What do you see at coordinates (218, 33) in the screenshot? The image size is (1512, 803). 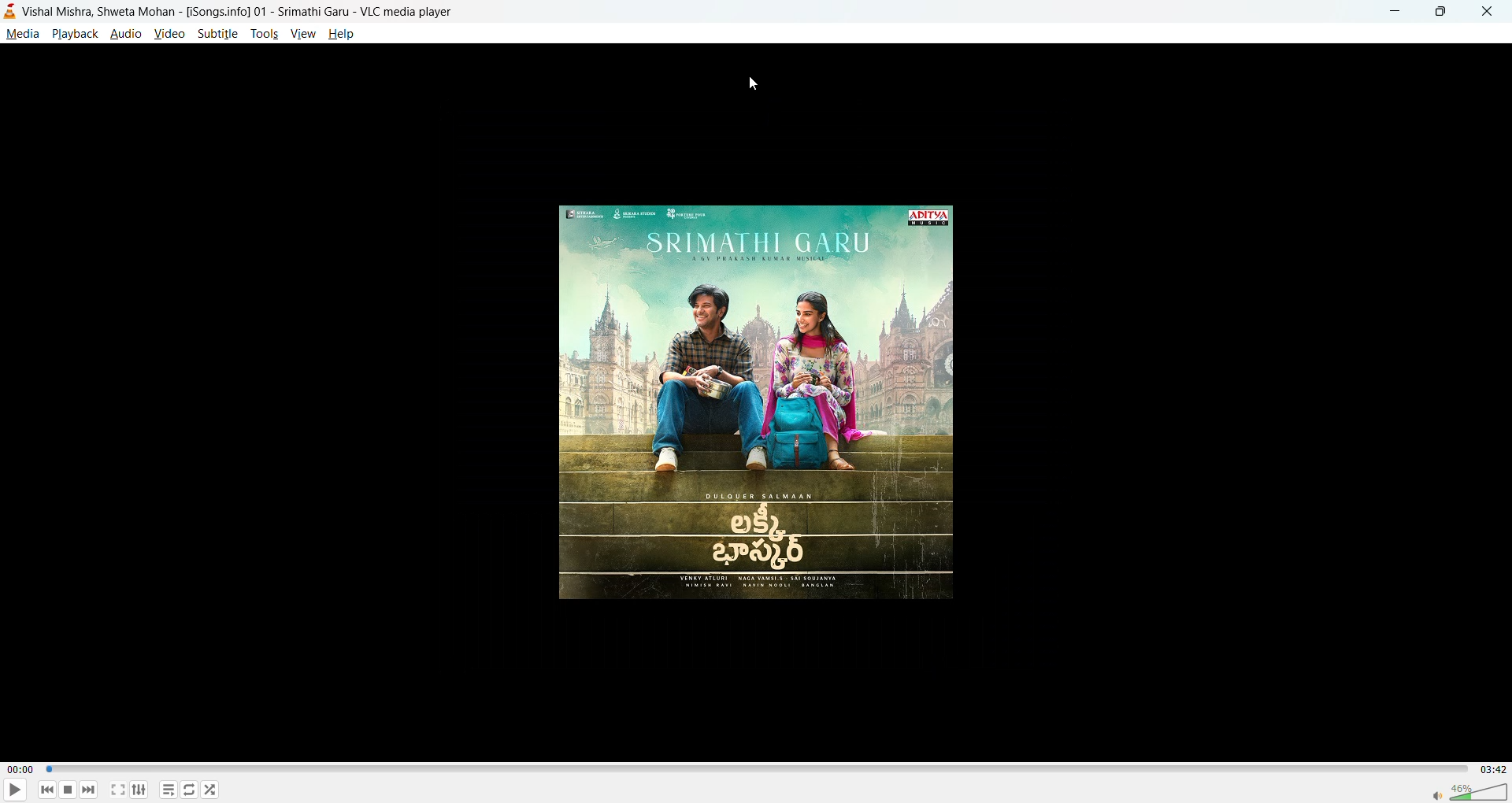 I see `subtitle` at bounding box center [218, 33].